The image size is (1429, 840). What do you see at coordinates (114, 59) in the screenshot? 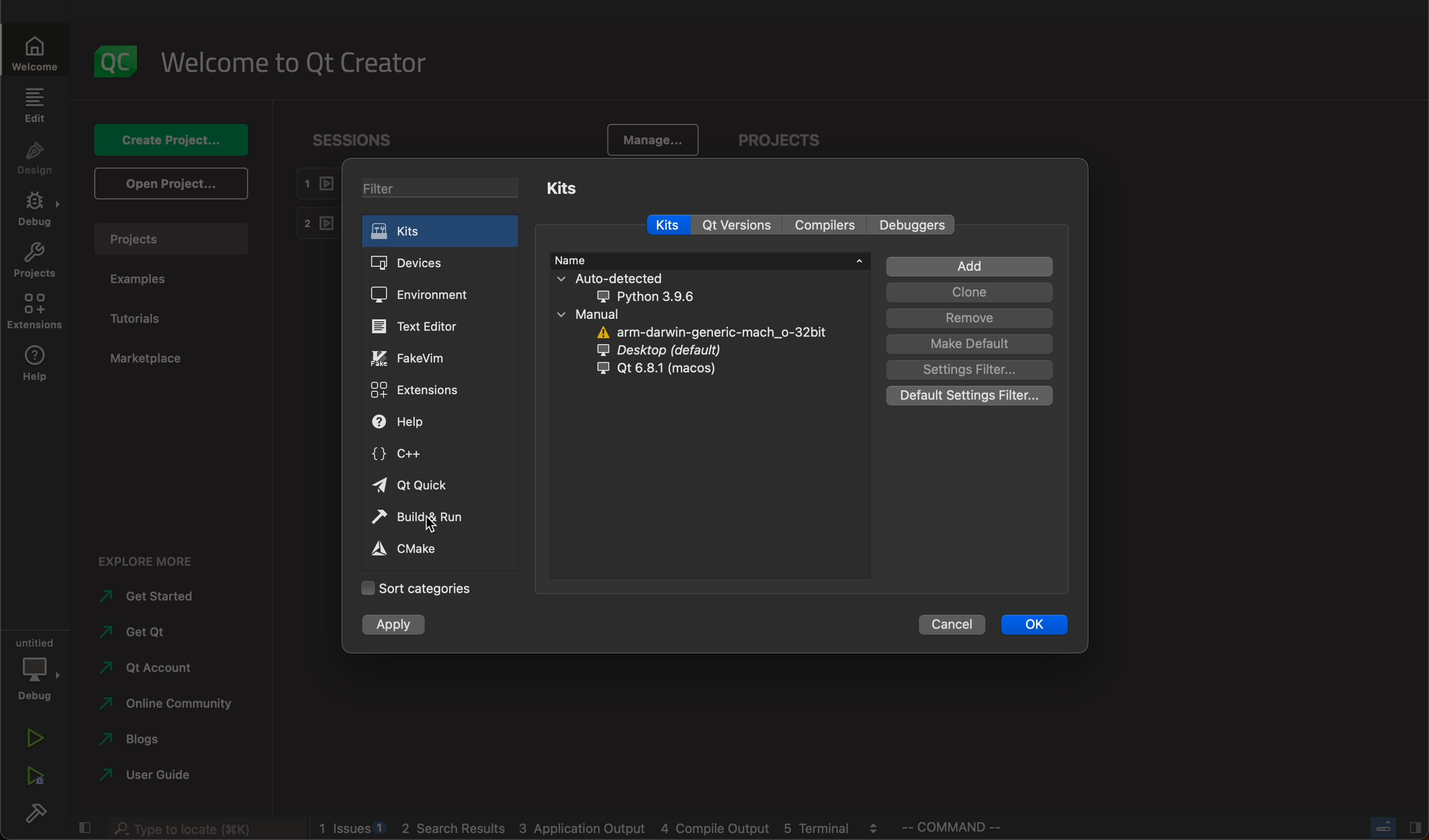
I see `logo` at bounding box center [114, 59].